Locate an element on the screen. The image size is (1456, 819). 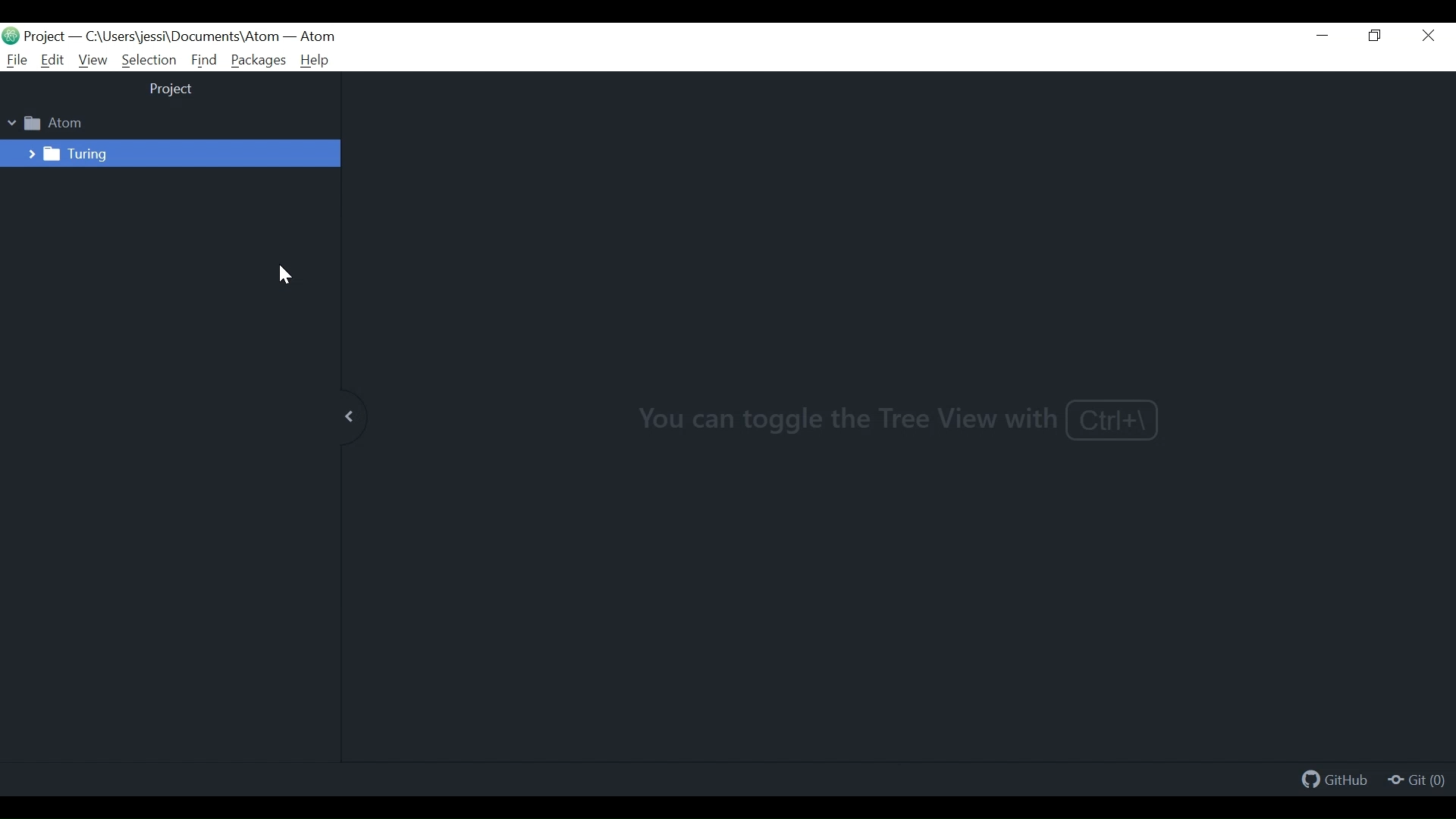
Edit is located at coordinates (53, 60).